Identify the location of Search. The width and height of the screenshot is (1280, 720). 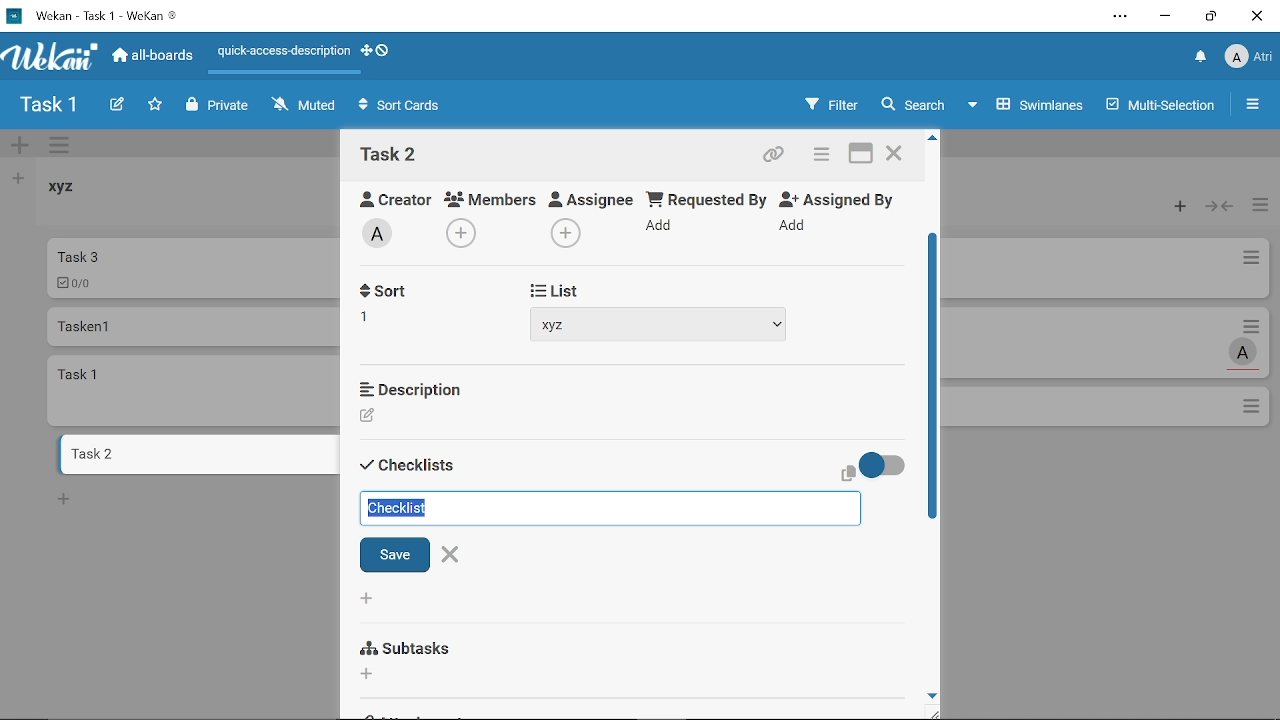
(912, 105).